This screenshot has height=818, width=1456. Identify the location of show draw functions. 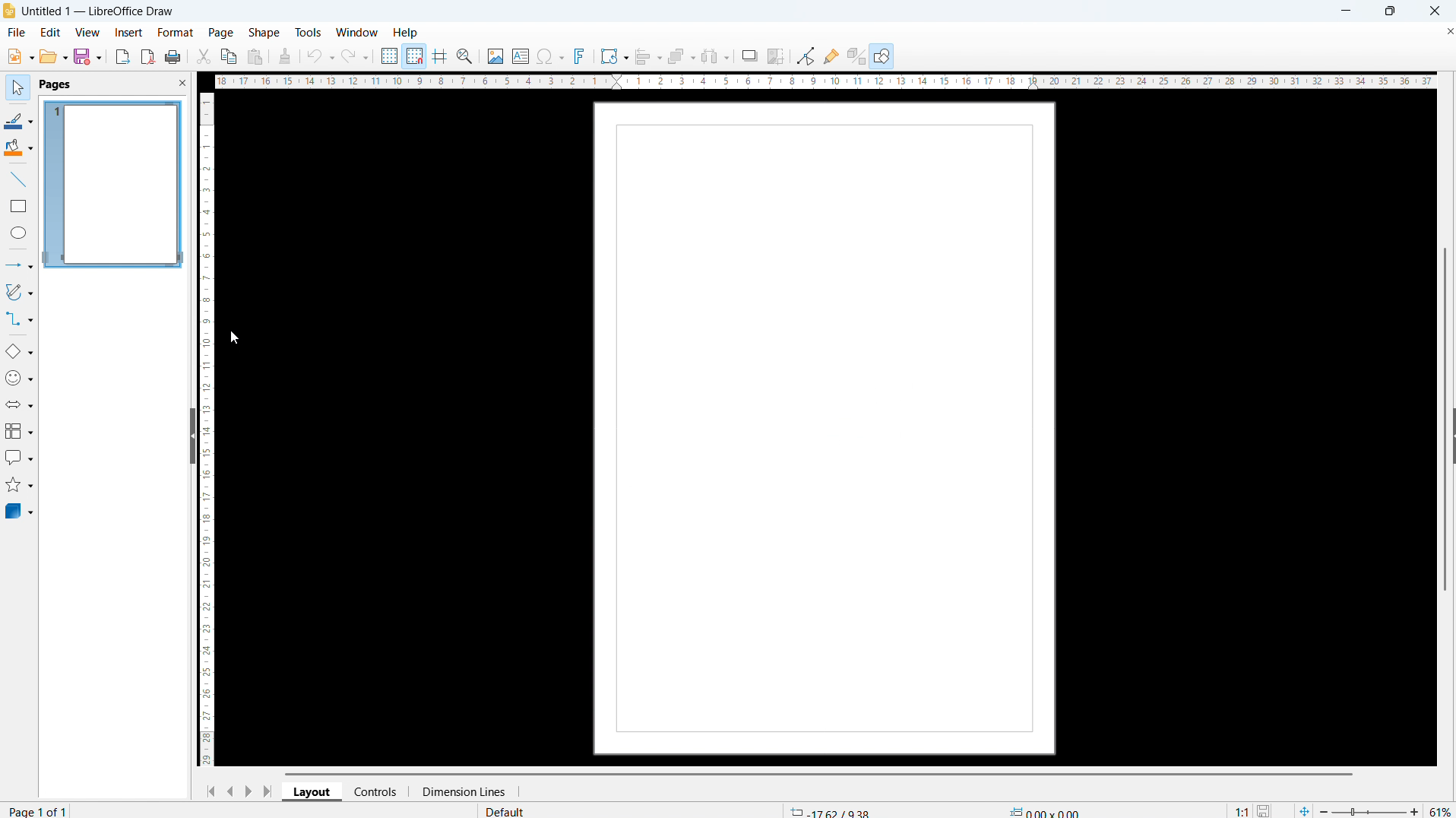
(883, 56).